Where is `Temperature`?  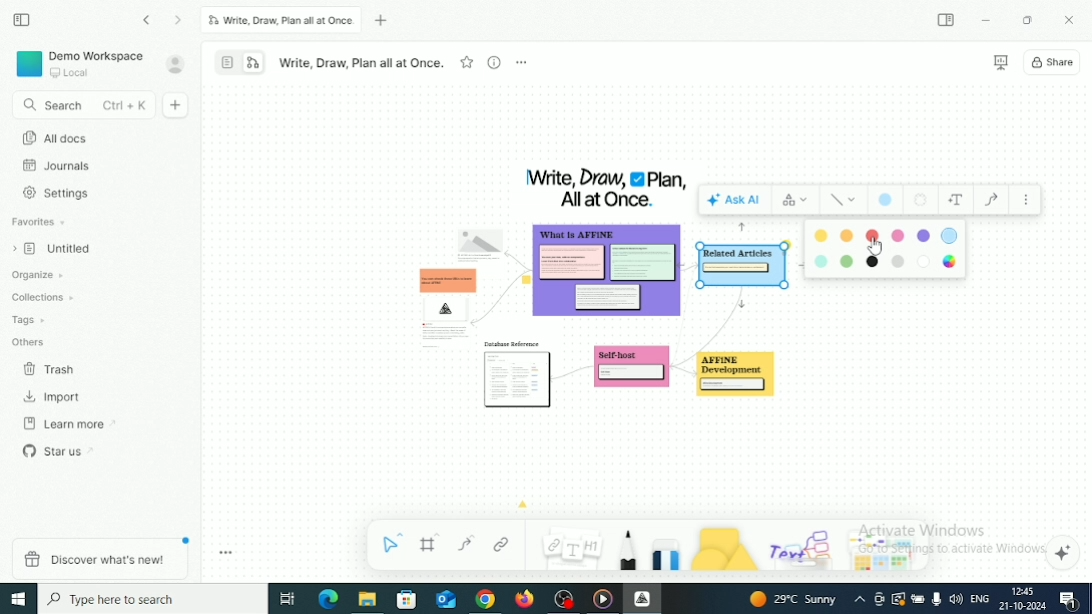 Temperature is located at coordinates (795, 599).